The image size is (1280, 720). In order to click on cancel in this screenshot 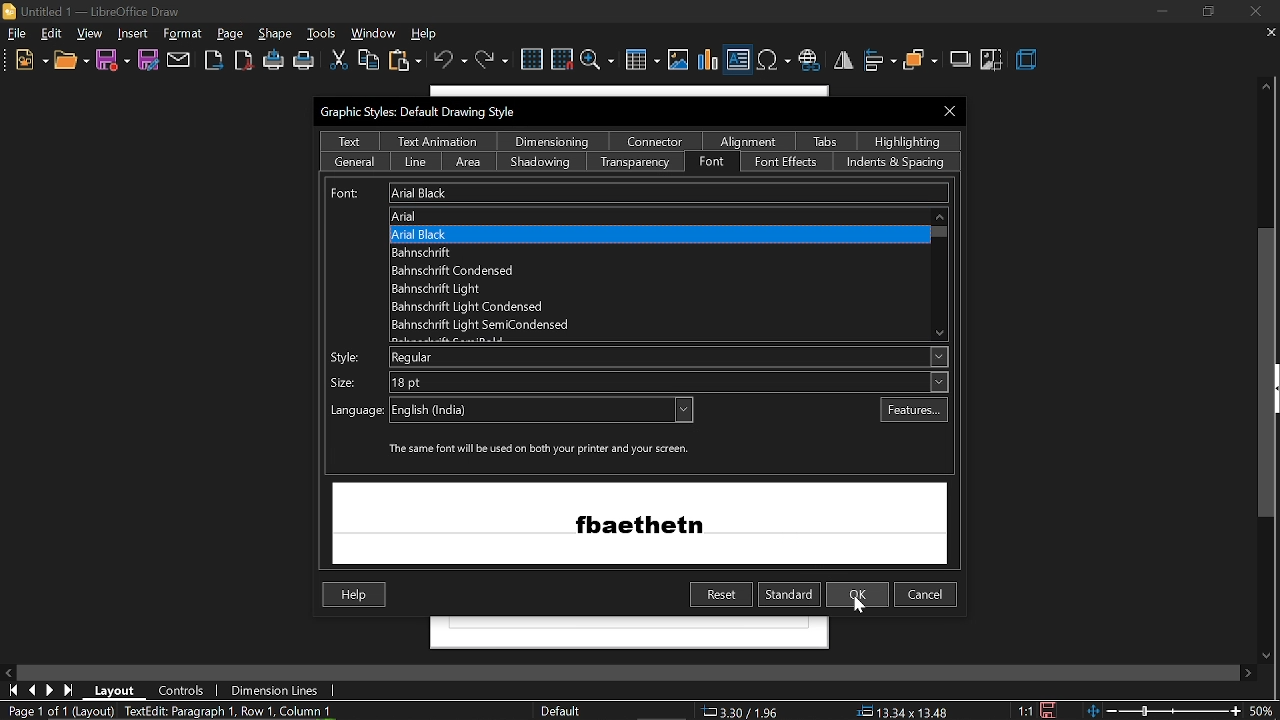, I will do `click(926, 595)`.